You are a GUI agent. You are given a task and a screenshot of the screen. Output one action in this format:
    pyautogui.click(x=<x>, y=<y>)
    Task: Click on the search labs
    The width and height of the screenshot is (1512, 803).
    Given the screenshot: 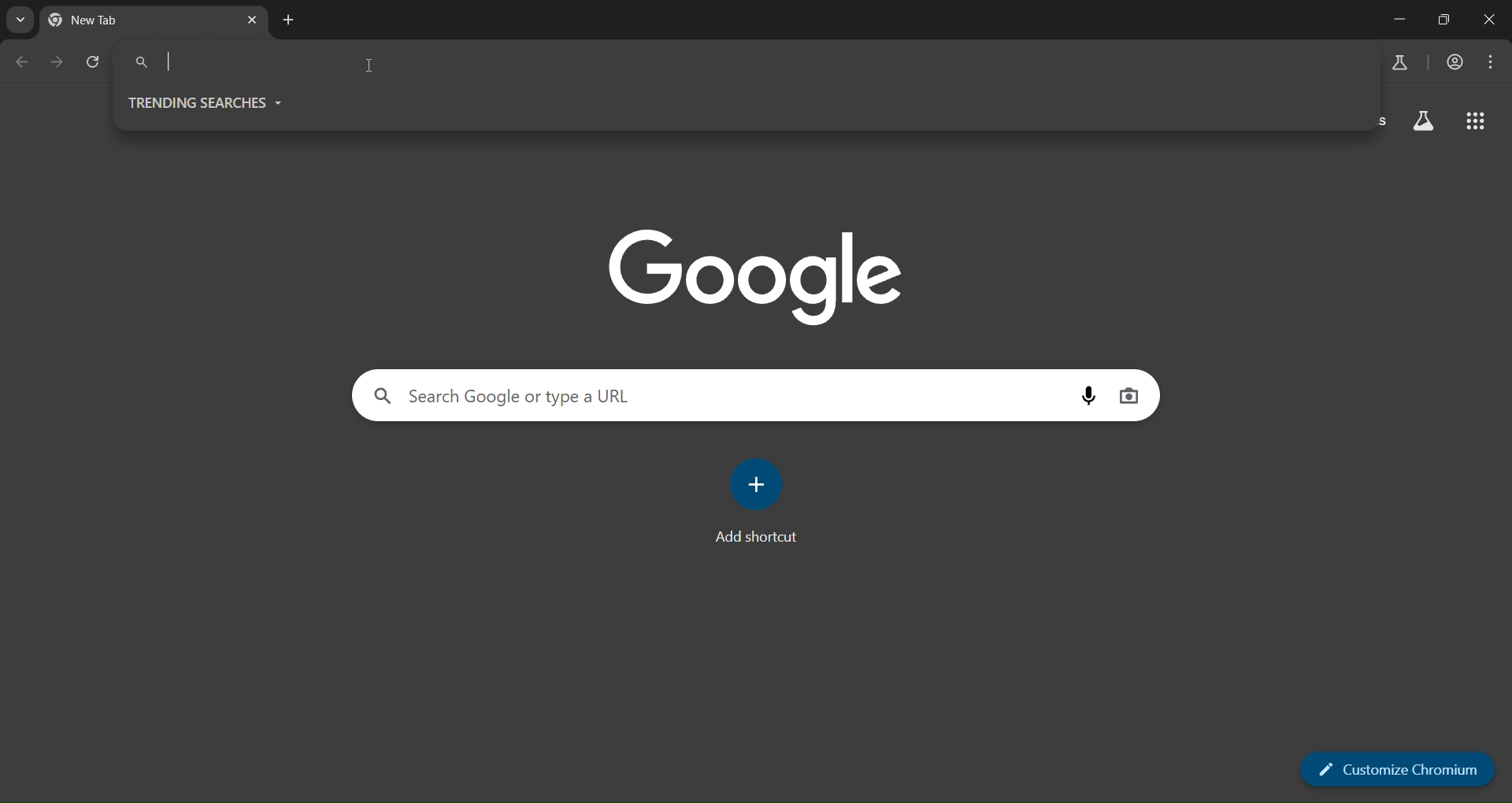 What is the action you would take?
    pyautogui.click(x=1399, y=65)
    